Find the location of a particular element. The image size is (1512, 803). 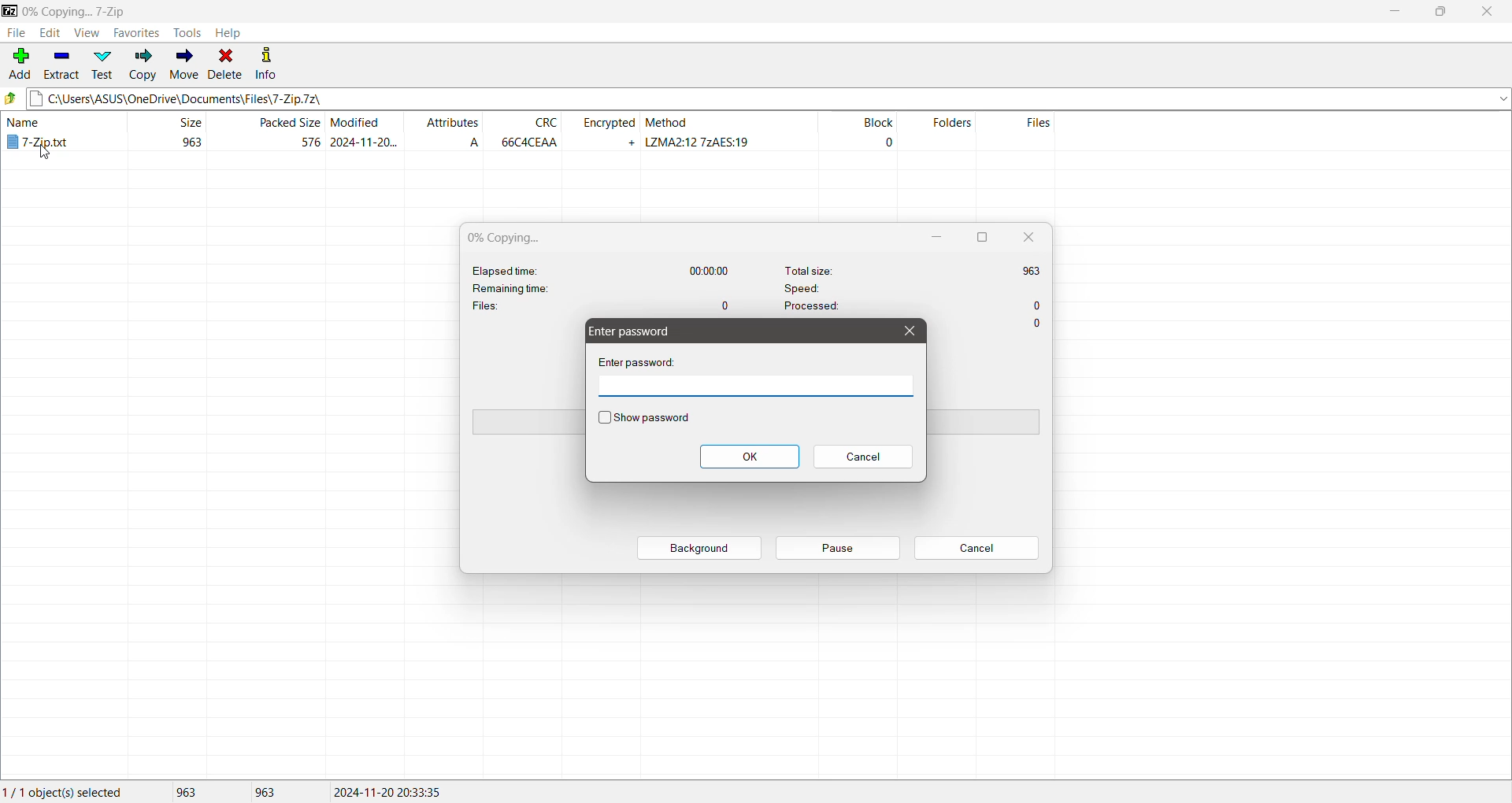

0% Copying is located at coordinates (512, 238).